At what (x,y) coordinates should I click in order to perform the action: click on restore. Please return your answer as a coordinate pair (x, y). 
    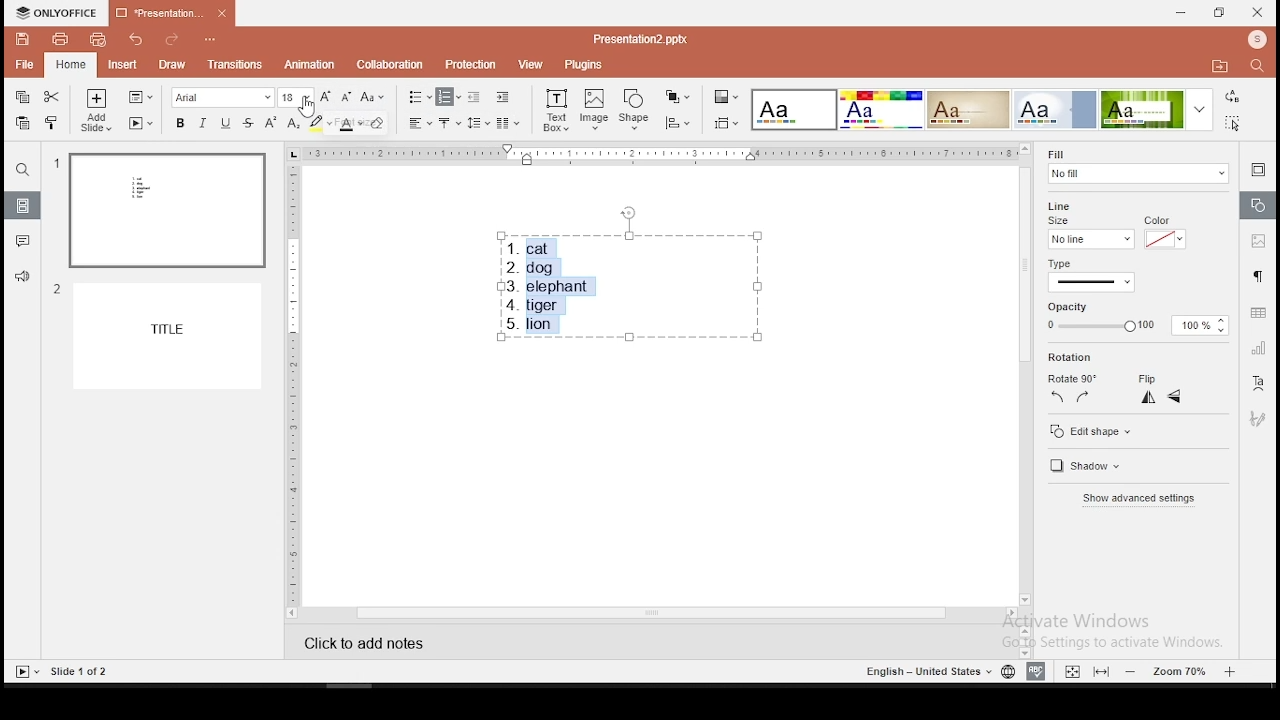
    Looking at the image, I should click on (1217, 13).